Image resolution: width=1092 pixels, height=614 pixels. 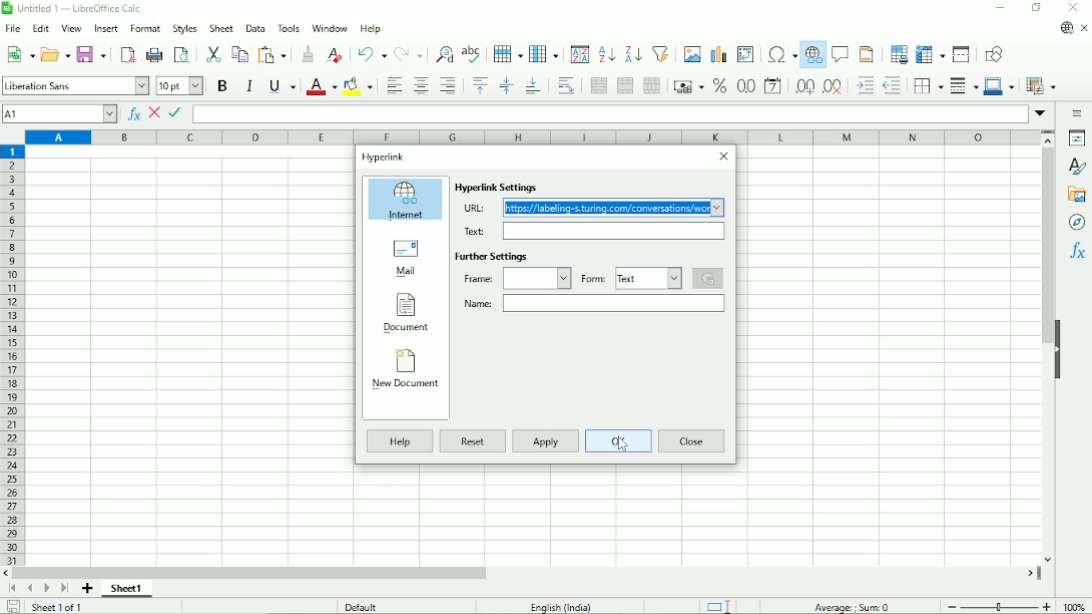 What do you see at coordinates (534, 86) in the screenshot?
I see `Align bottom` at bounding box center [534, 86].